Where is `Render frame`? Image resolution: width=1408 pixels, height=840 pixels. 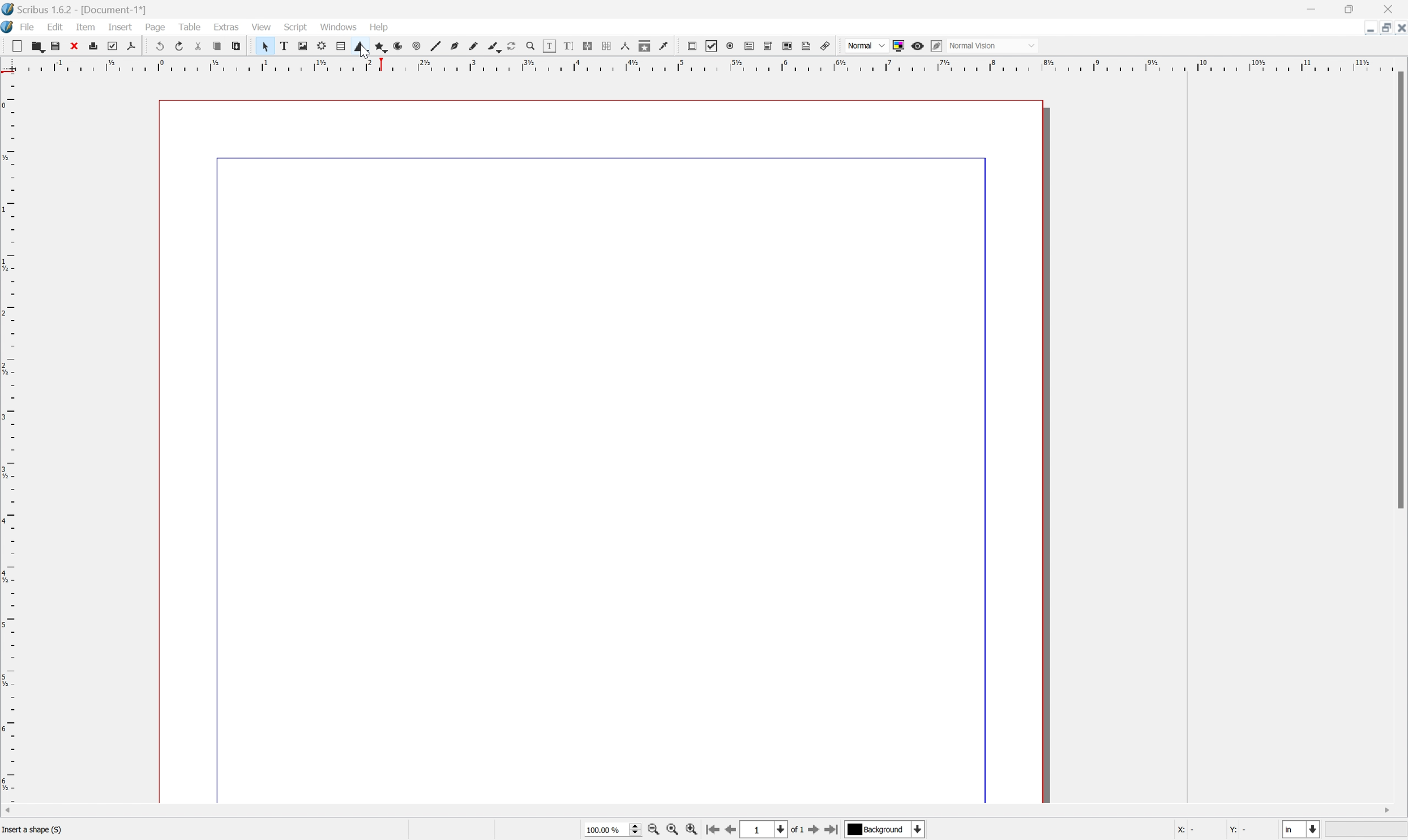 Render frame is located at coordinates (322, 47).